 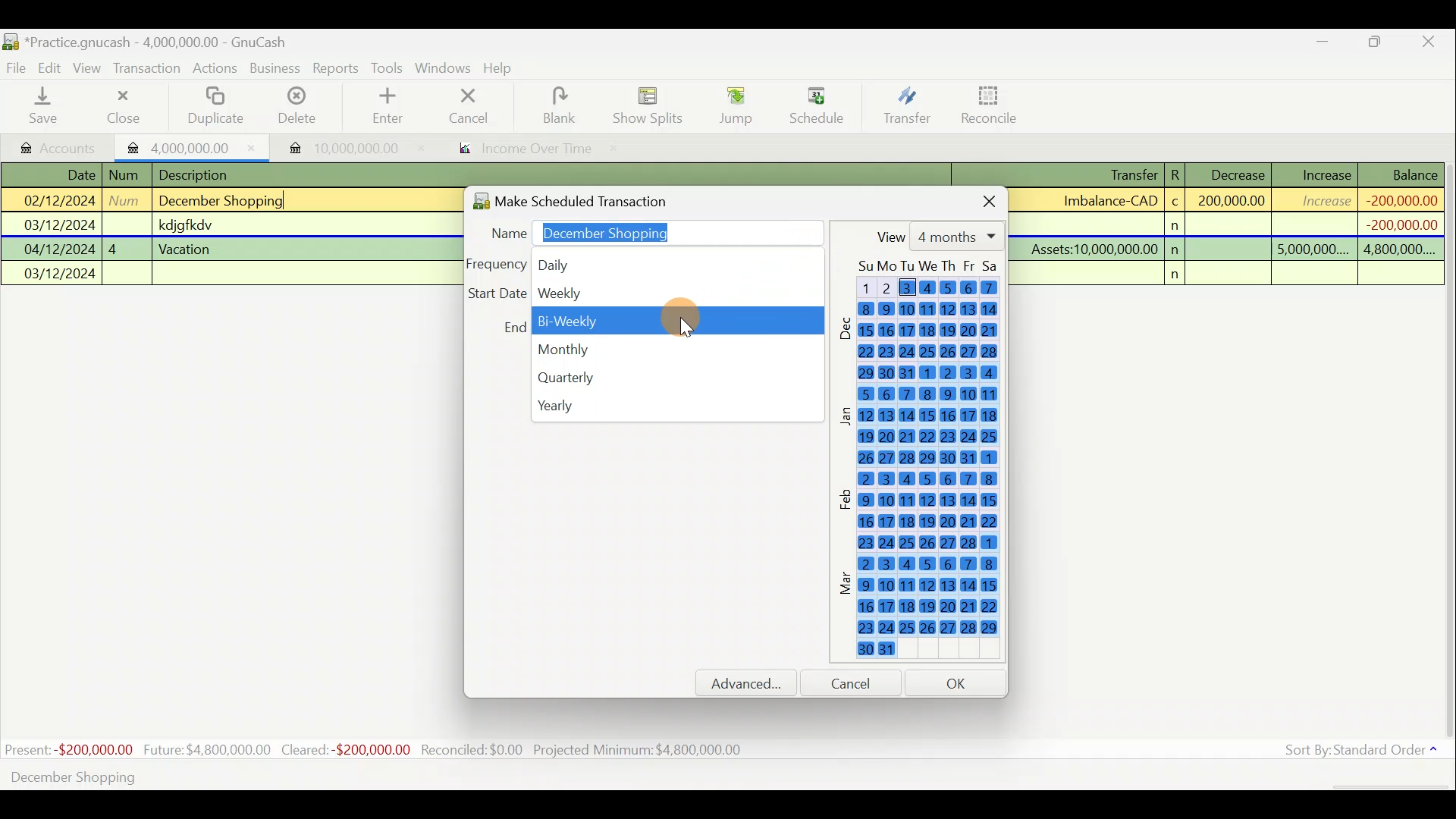 I want to click on Bi-Weekly, so click(x=671, y=321).